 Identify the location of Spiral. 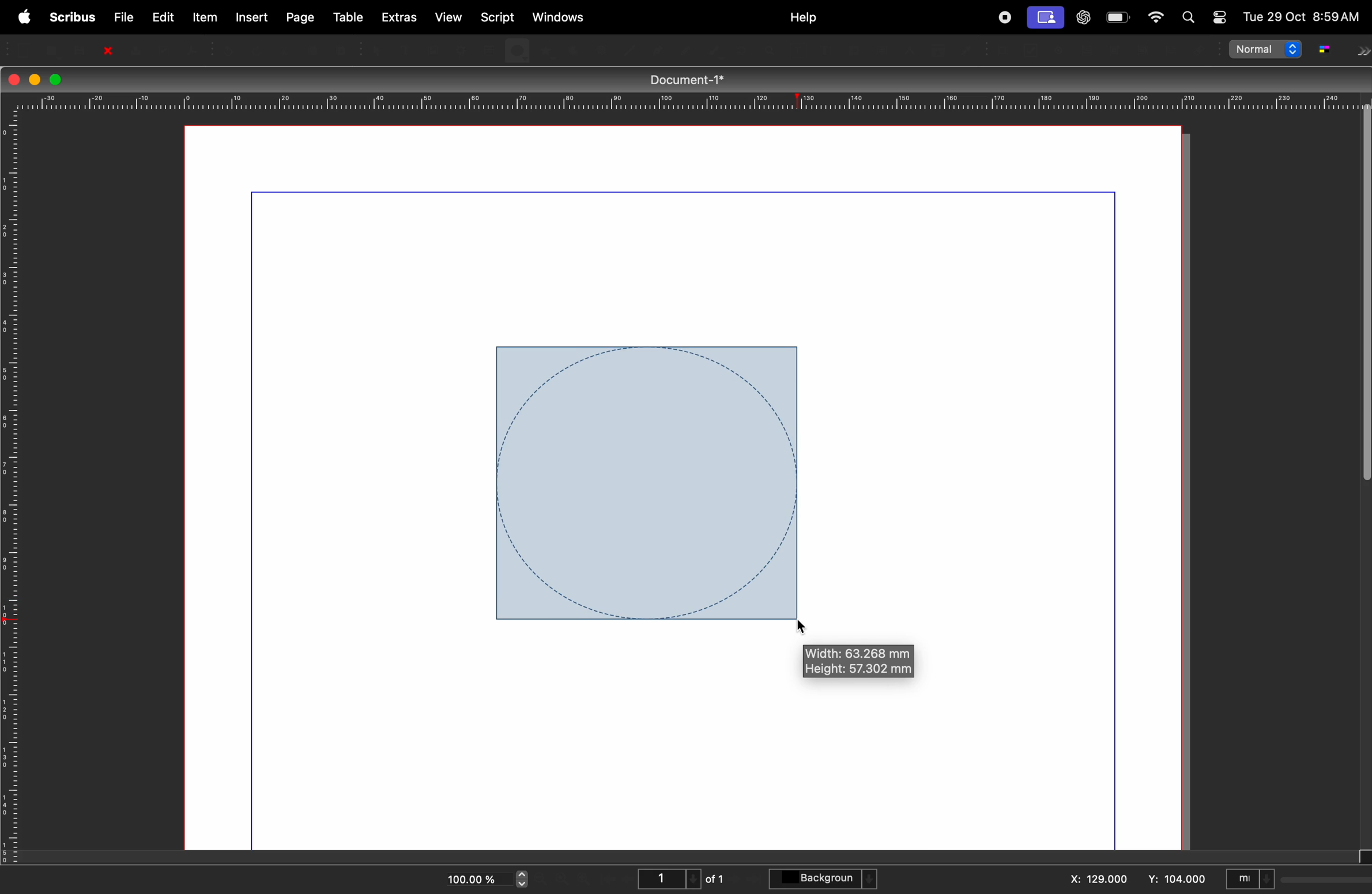
(601, 50).